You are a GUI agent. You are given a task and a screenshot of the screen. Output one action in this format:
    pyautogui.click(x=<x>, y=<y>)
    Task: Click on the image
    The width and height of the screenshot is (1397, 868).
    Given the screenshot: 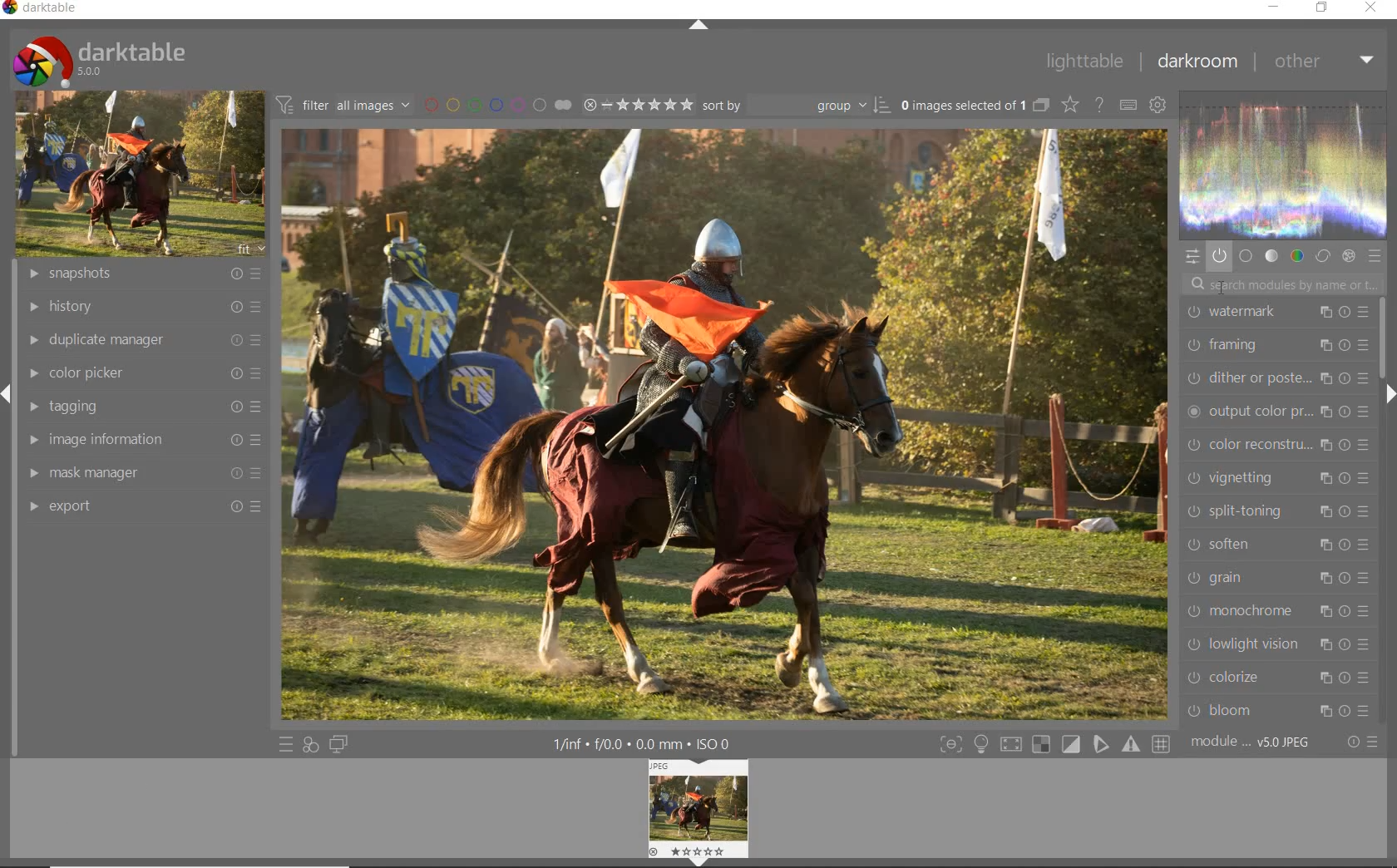 What is the action you would take?
    pyautogui.click(x=136, y=175)
    